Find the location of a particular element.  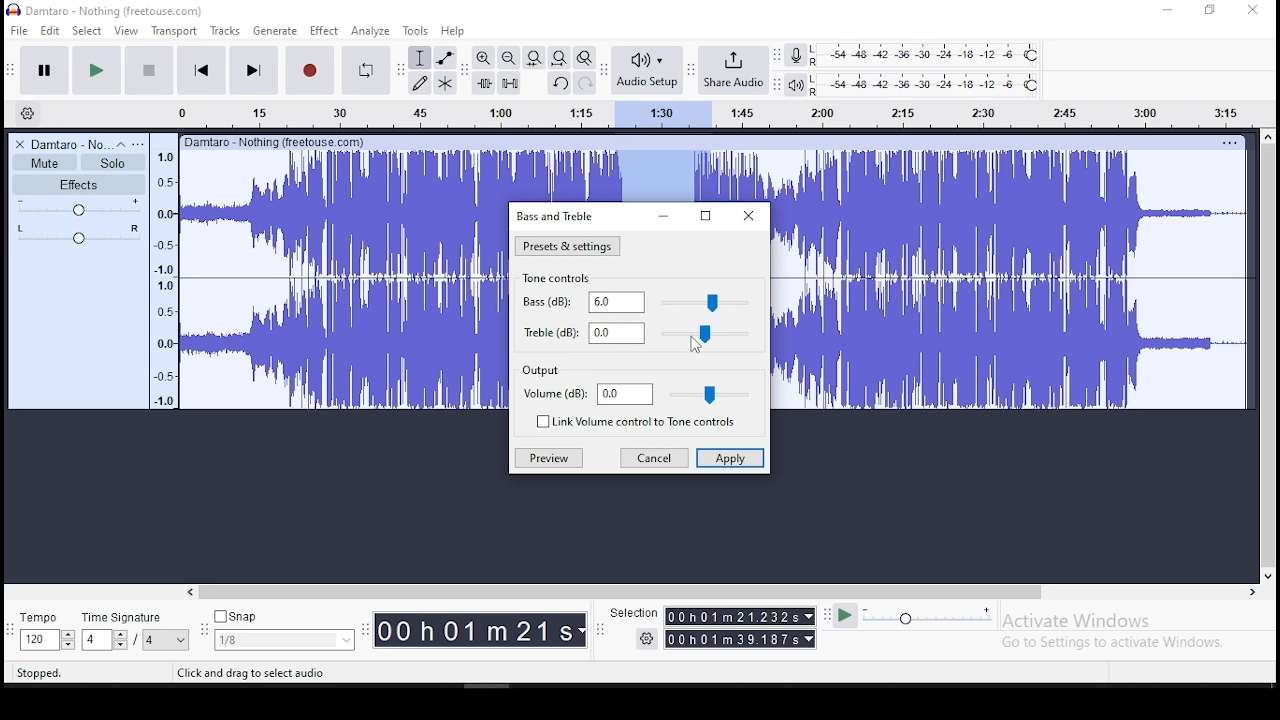

Go to Settings to activate Windows. is located at coordinates (1116, 642).